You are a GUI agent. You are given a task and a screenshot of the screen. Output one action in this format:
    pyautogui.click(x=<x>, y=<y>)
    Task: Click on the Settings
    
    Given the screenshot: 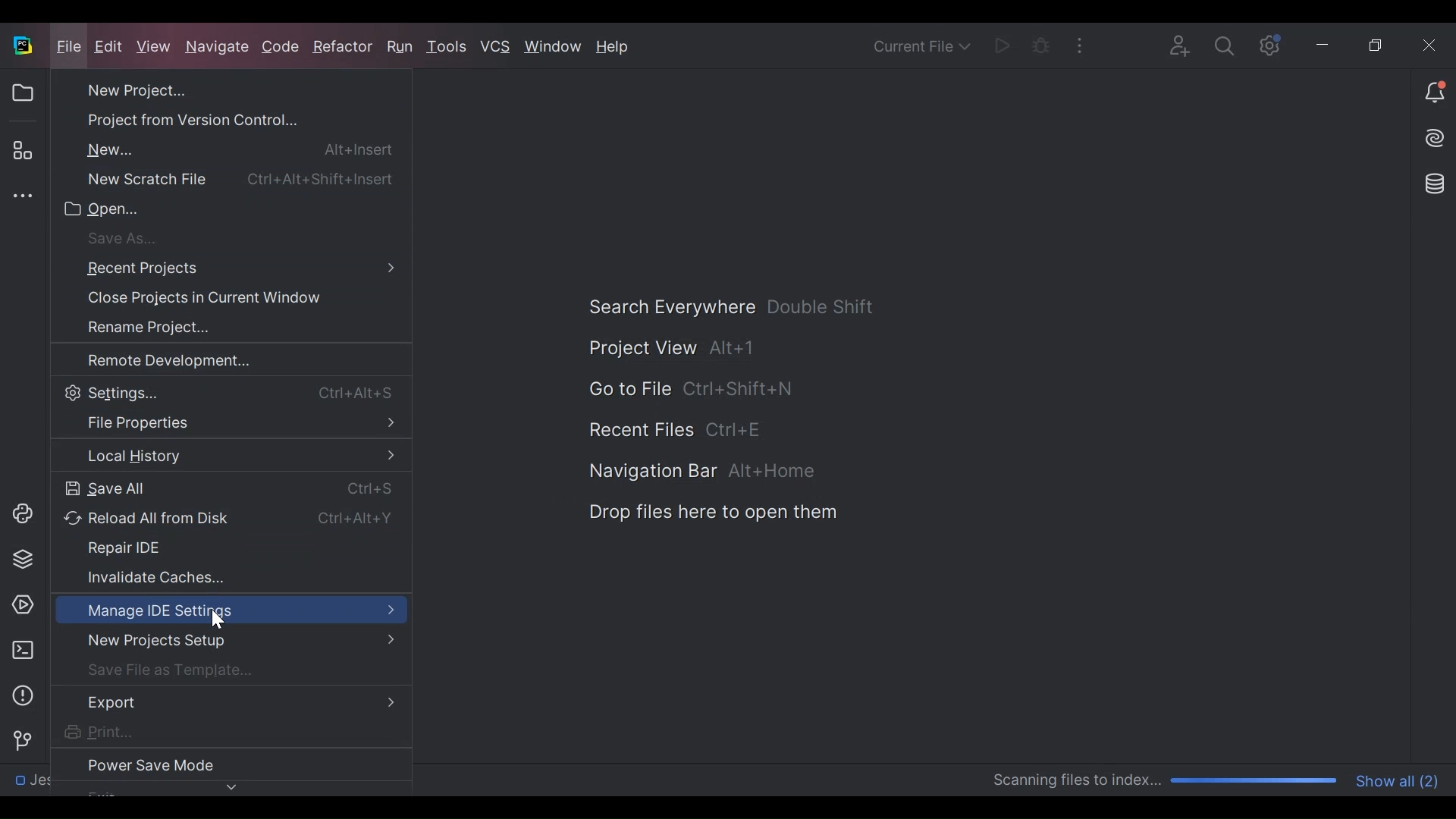 What is the action you would take?
    pyautogui.click(x=1266, y=44)
    